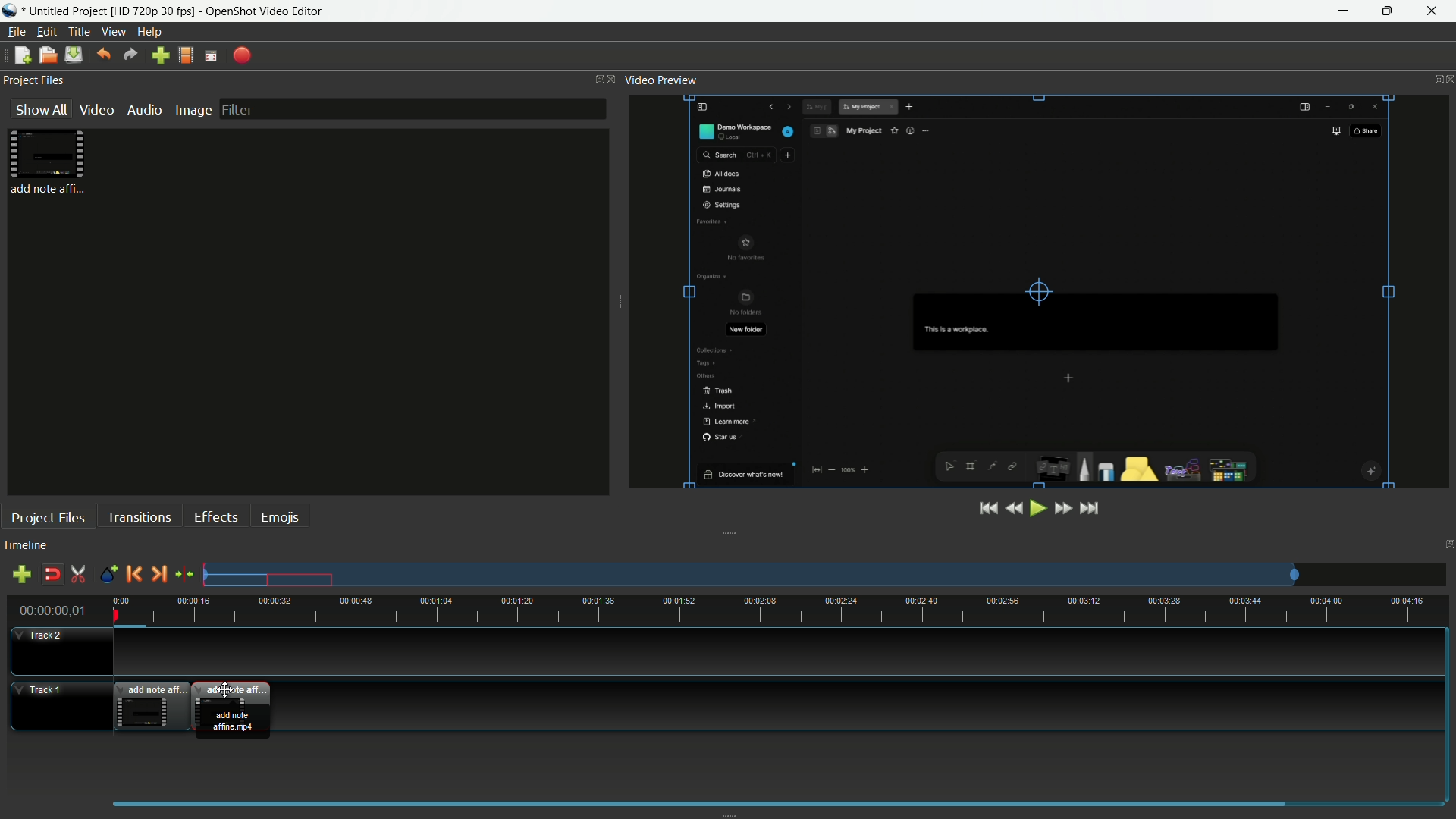 This screenshot has width=1456, height=819. Describe the element at coordinates (212, 55) in the screenshot. I see `fullscreen` at that location.